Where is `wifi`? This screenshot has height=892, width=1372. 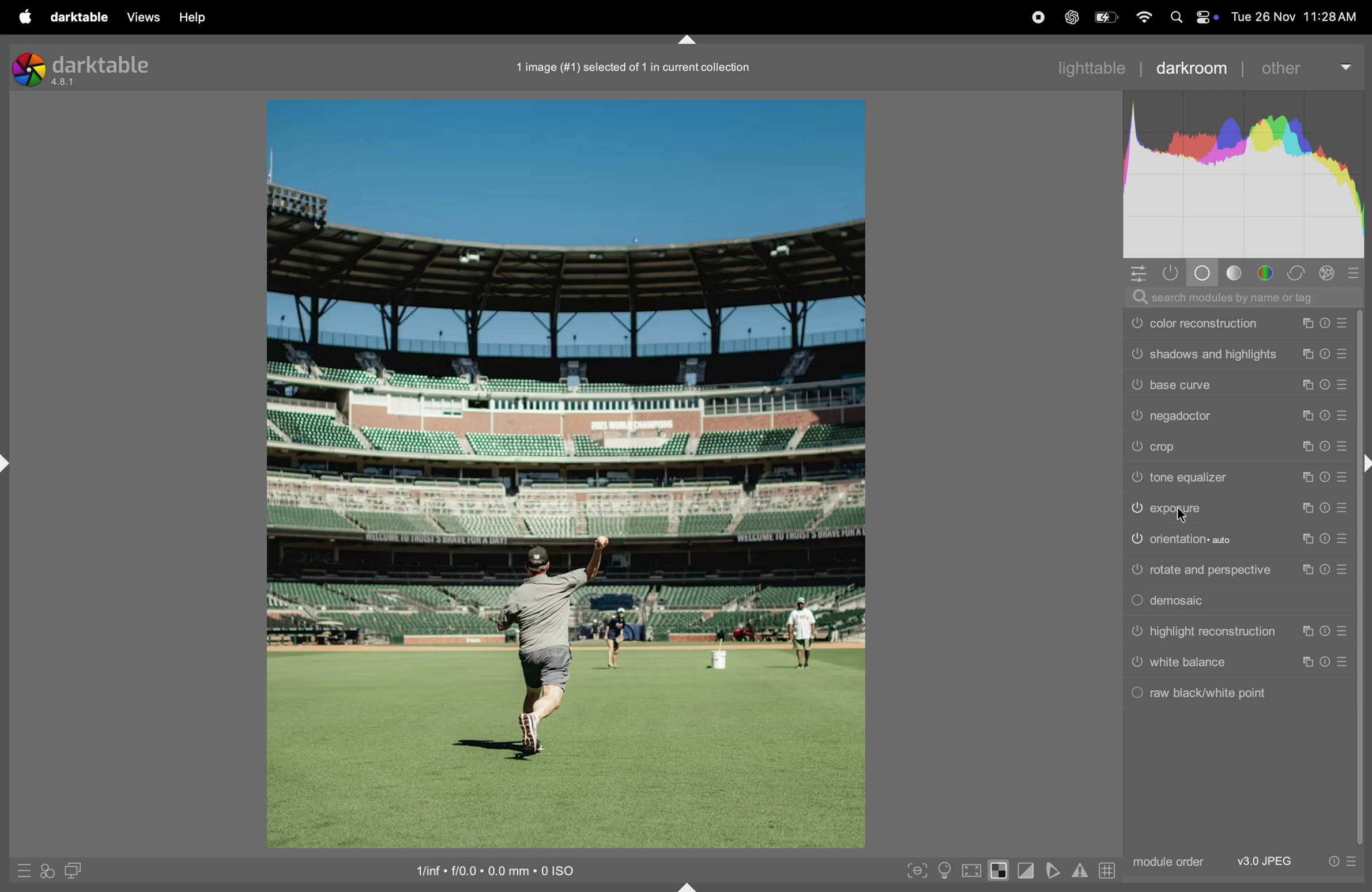
wifi is located at coordinates (1145, 18).